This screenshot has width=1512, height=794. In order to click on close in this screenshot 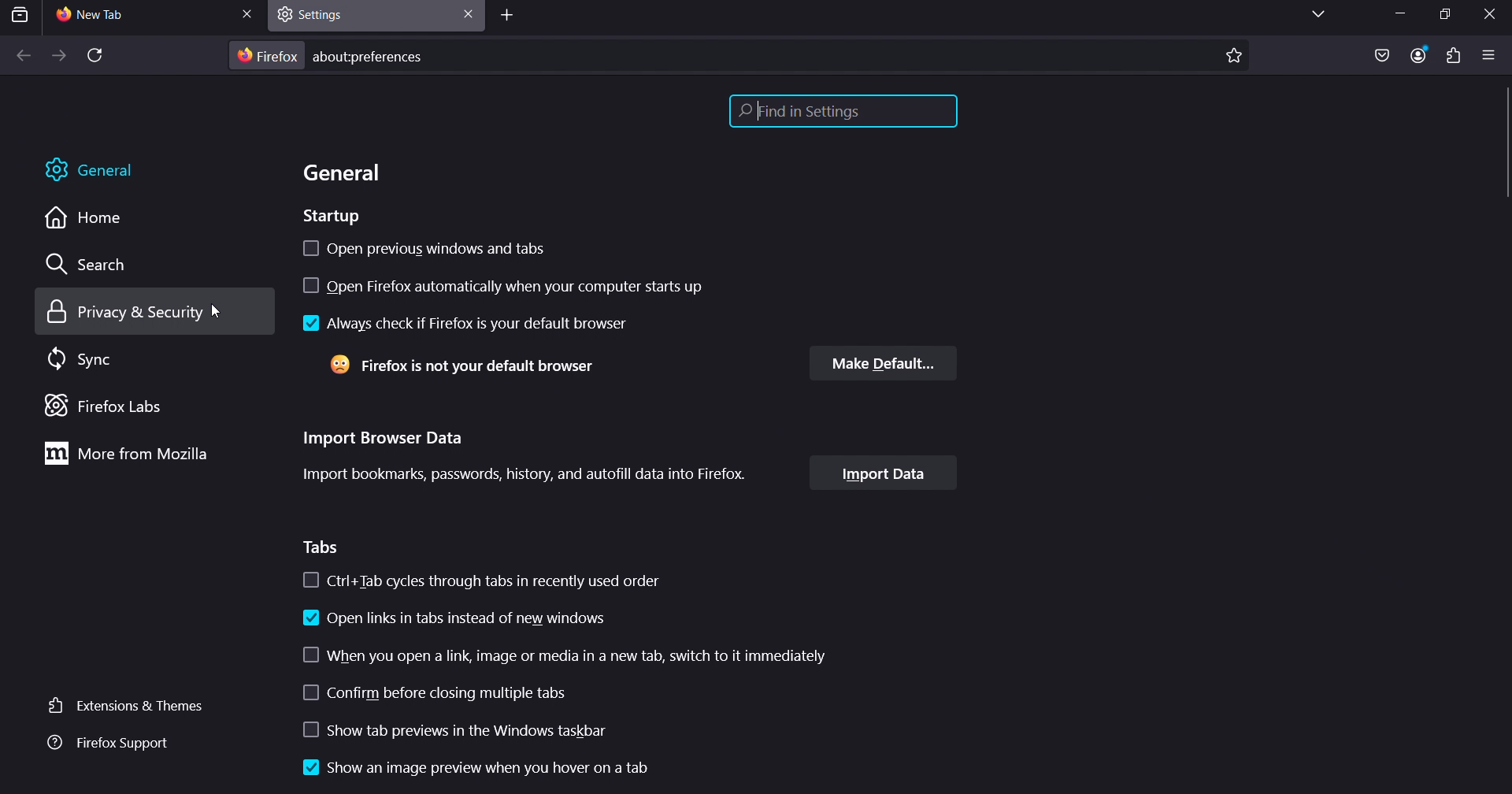, I will do `click(247, 13)`.